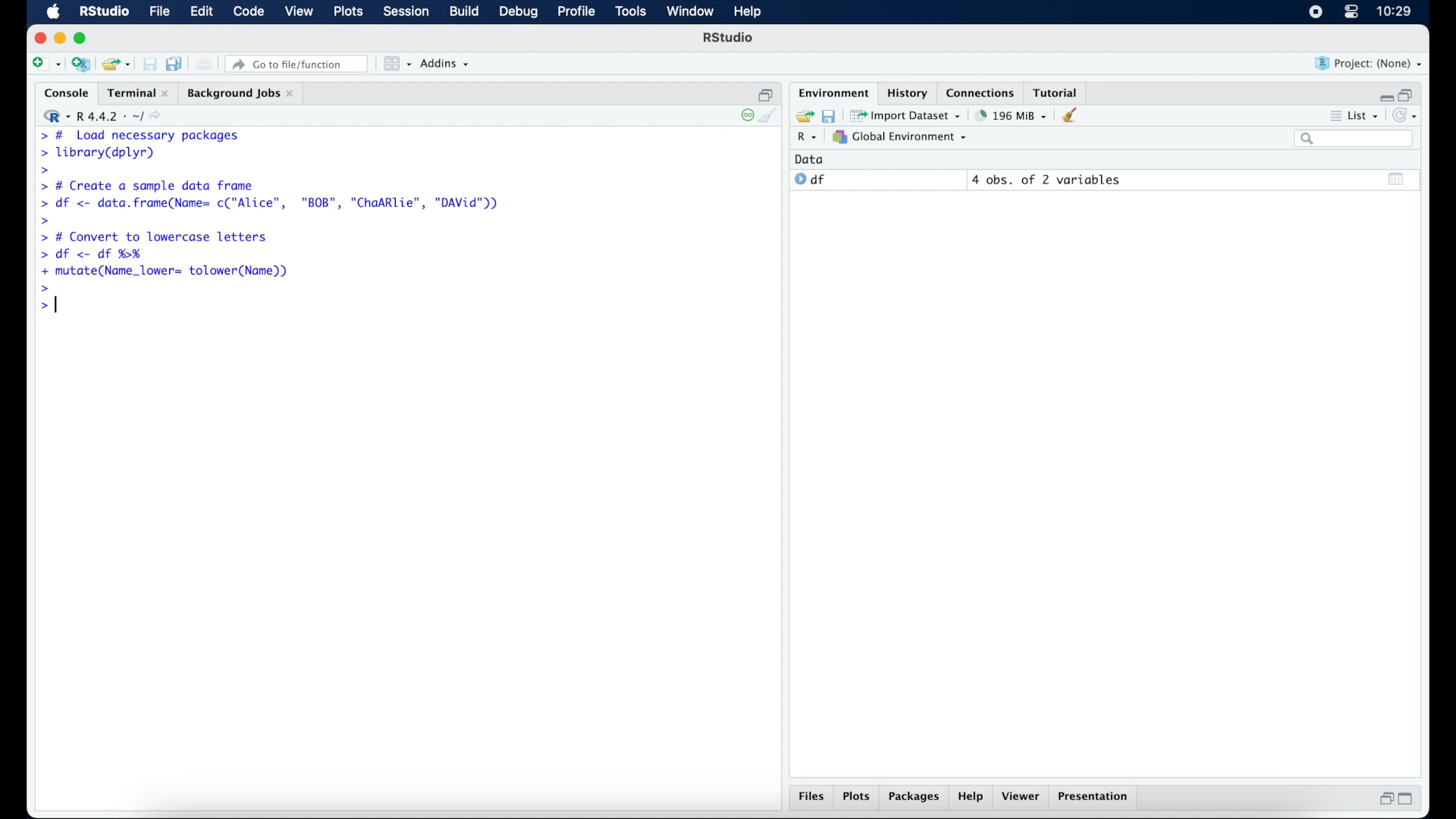 This screenshot has width=1456, height=819. Describe the element at coordinates (1095, 798) in the screenshot. I see `presentation` at that location.